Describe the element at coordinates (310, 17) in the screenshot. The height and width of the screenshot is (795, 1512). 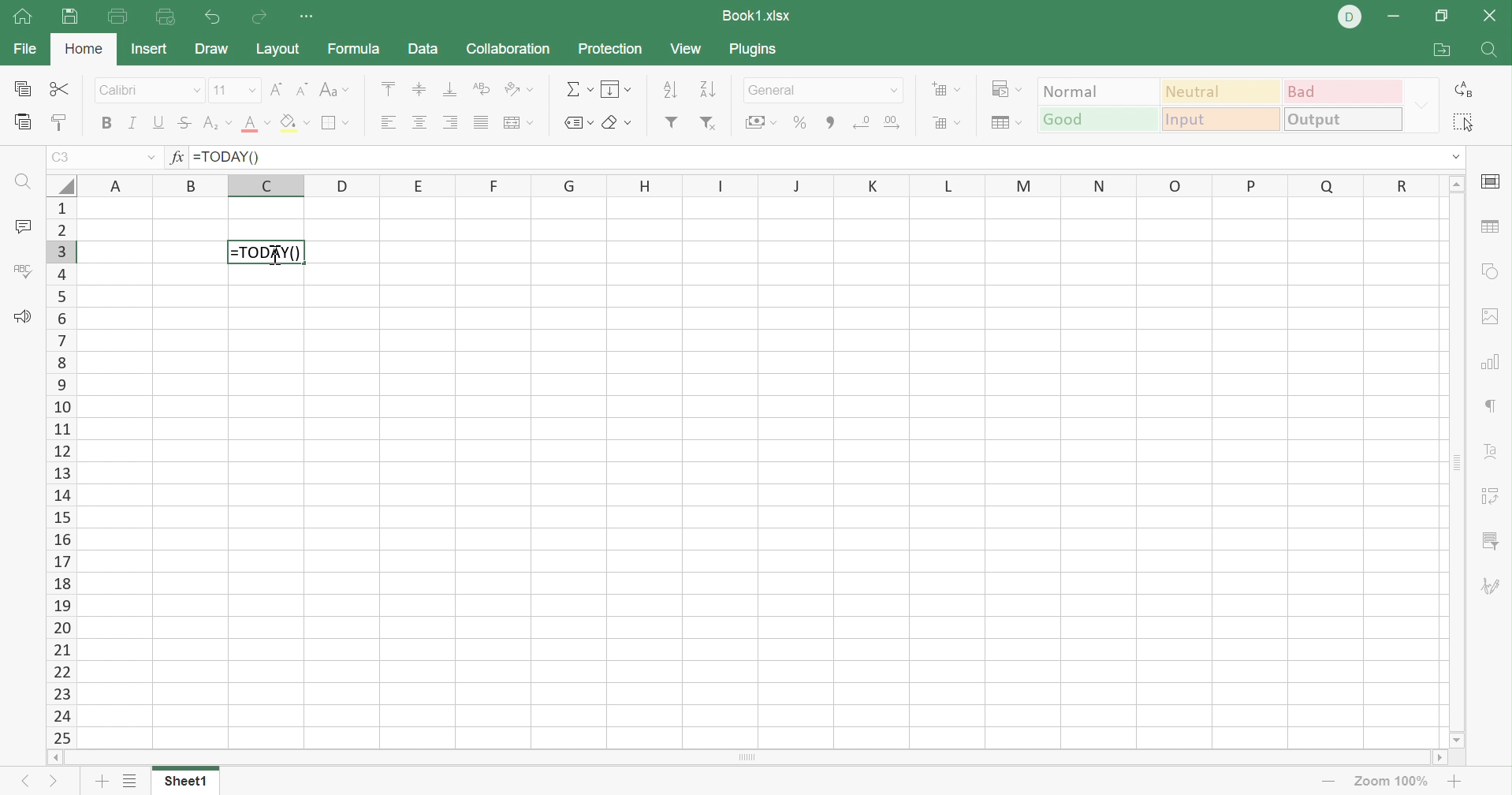
I see `Customize quick access toolbar` at that location.